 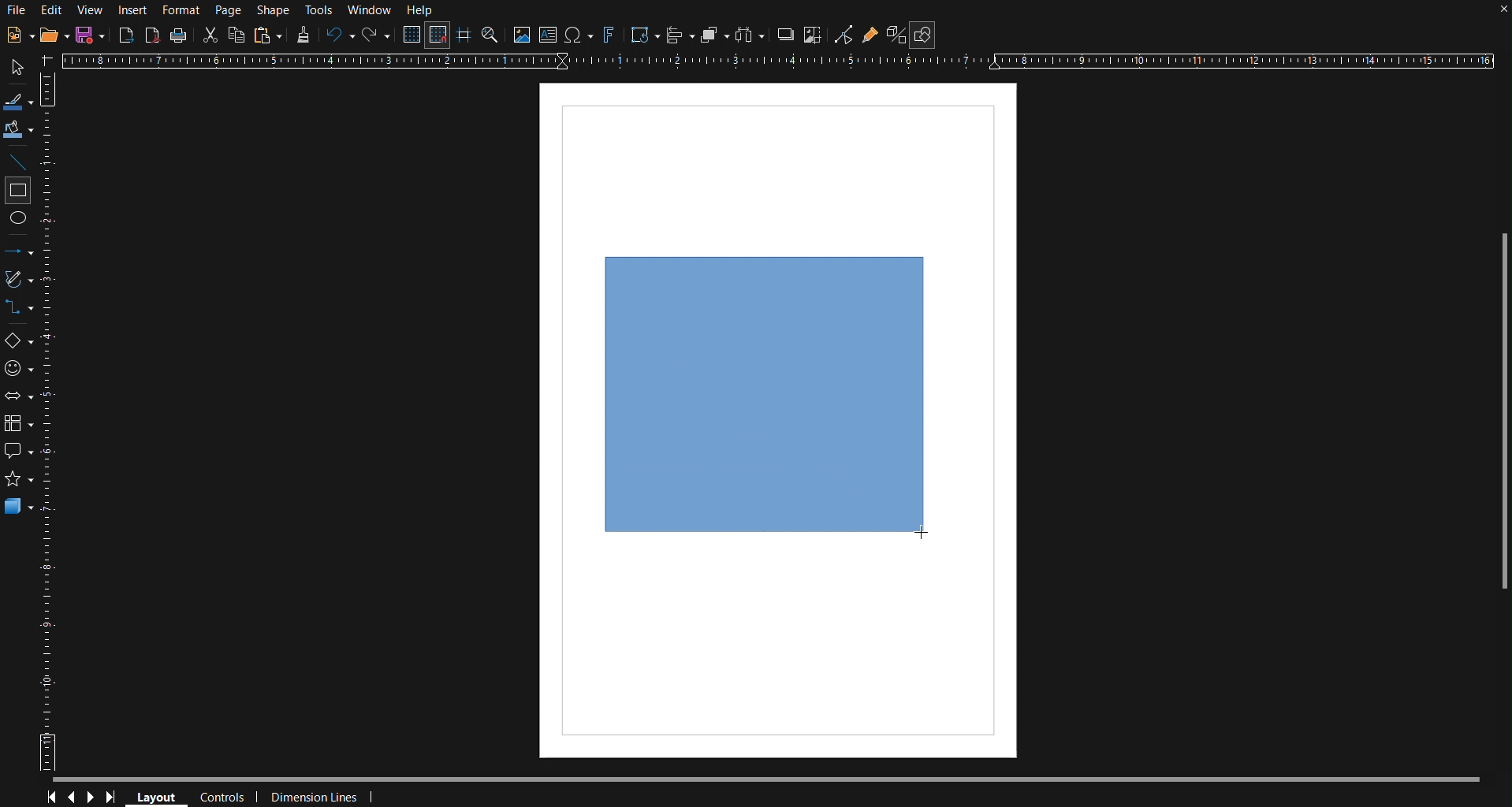 What do you see at coordinates (20, 398) in the screenshot?
I see `Block Arrows` at bounding box center [20, 398].